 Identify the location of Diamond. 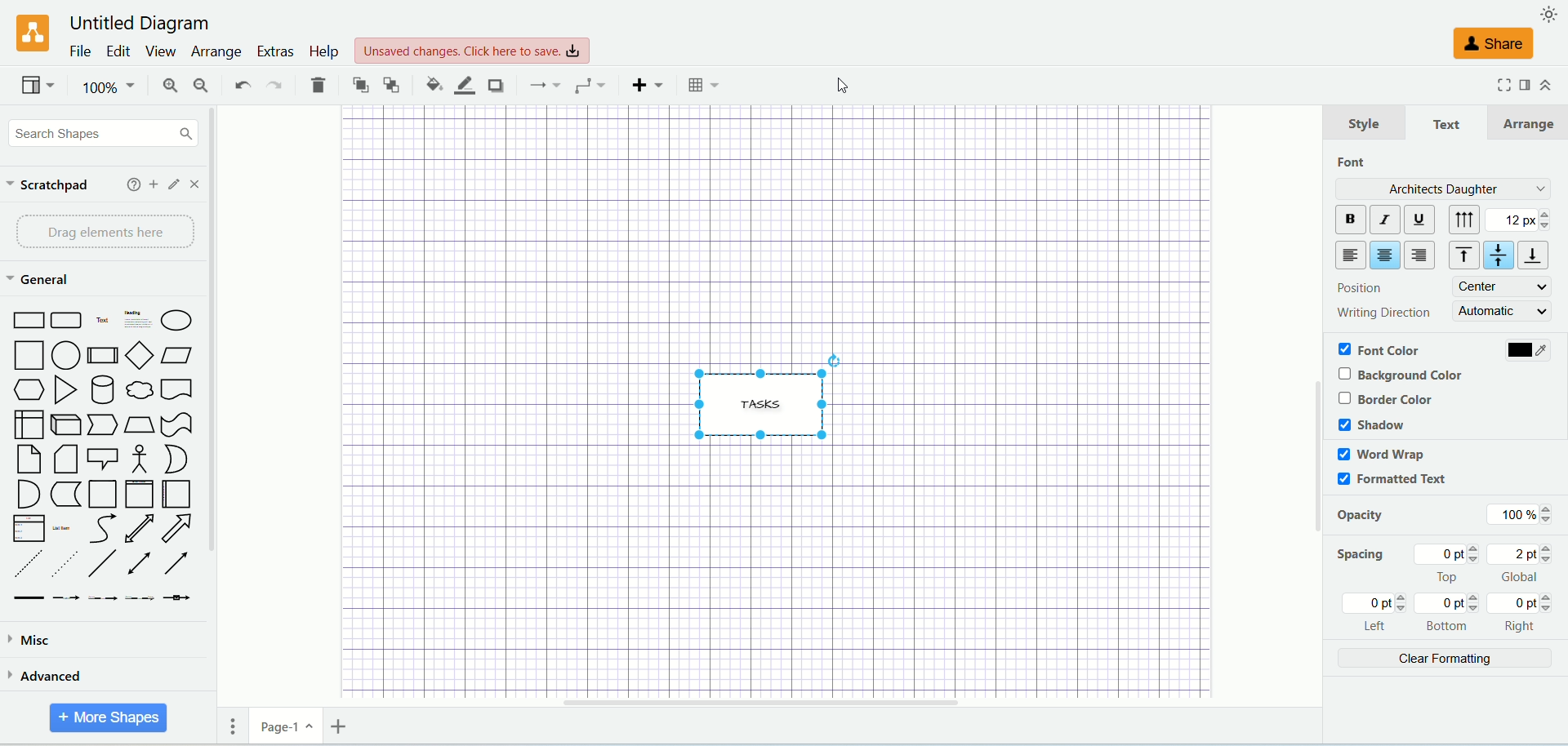
(139, 355).